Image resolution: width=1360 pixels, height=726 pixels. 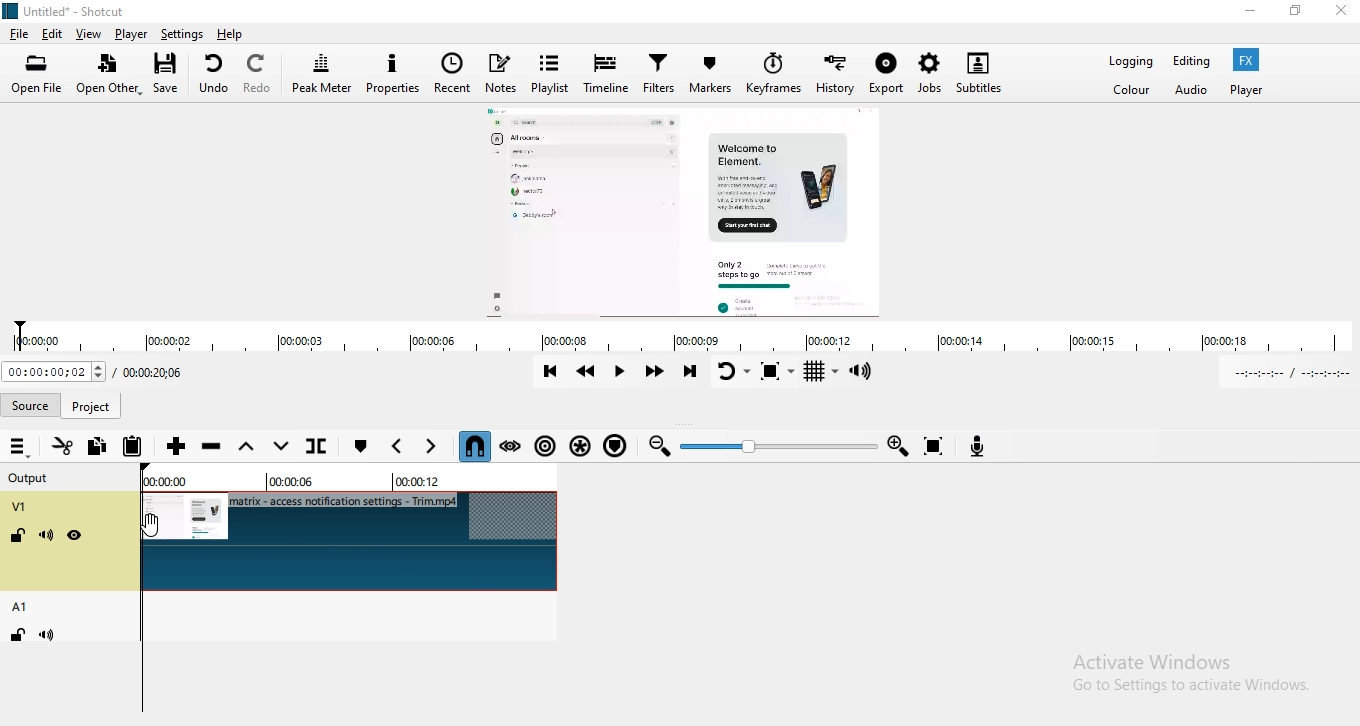 I want to click on Notes, so click(x=501, y=72).